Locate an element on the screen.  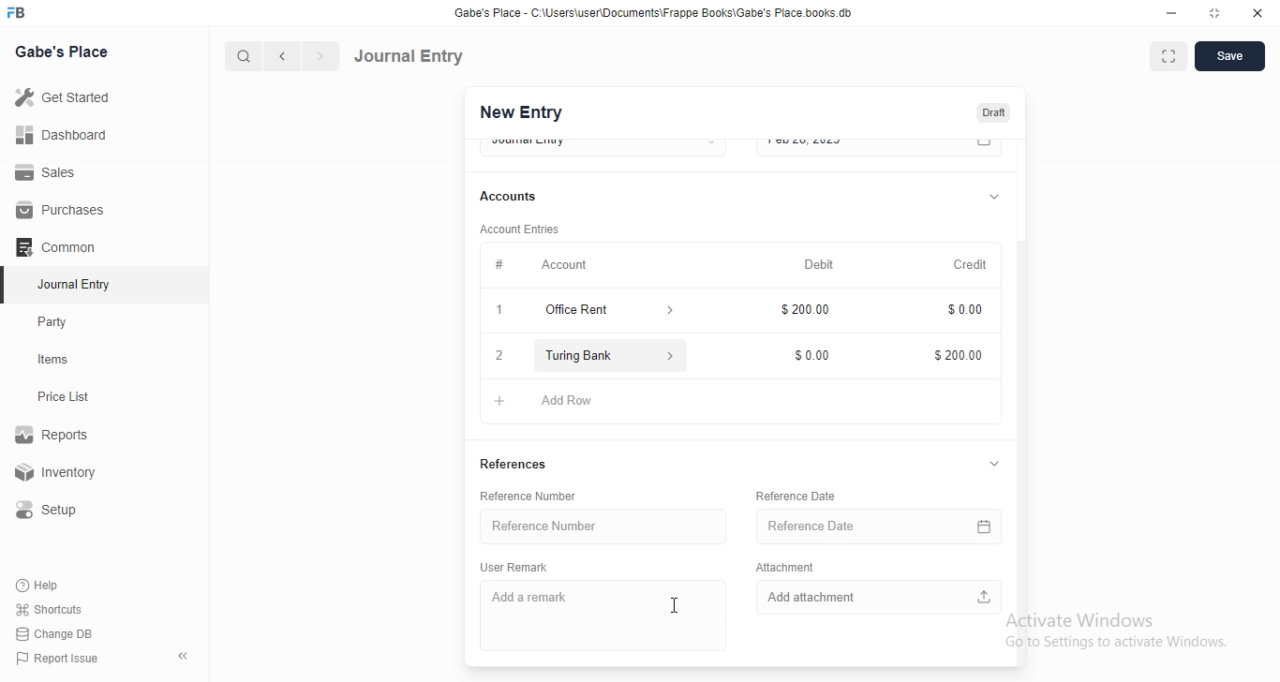
Add a remark is located at coordinates (538, 596).